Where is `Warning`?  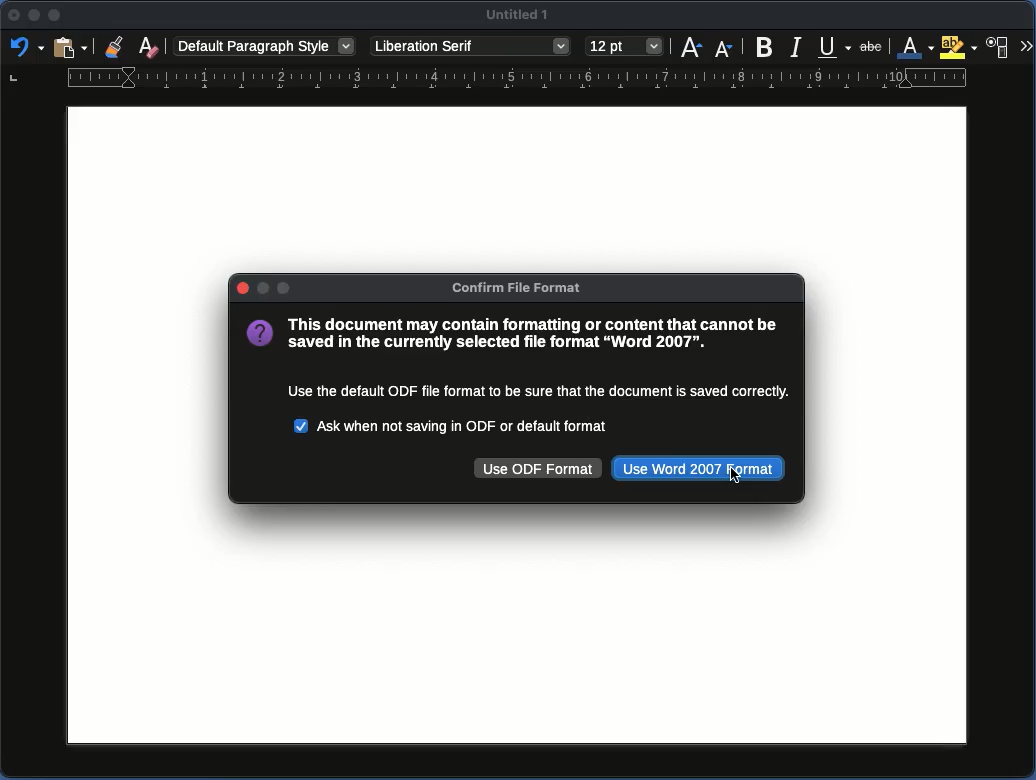
Warning is located at coordinates (519, 359).